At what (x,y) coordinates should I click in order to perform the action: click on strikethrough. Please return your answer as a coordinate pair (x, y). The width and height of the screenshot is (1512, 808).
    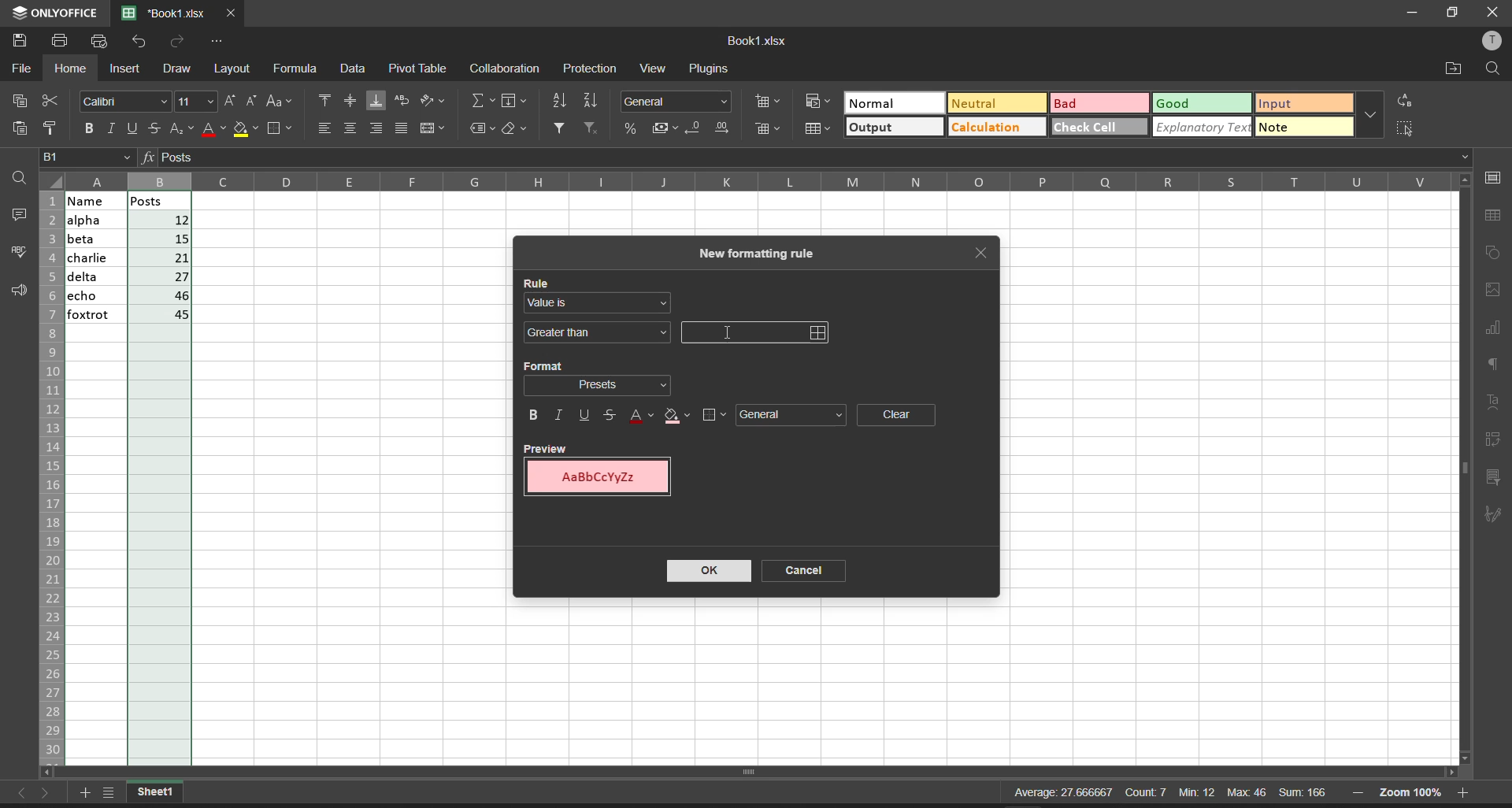
    Looking at the image, I should click on (154, 126).